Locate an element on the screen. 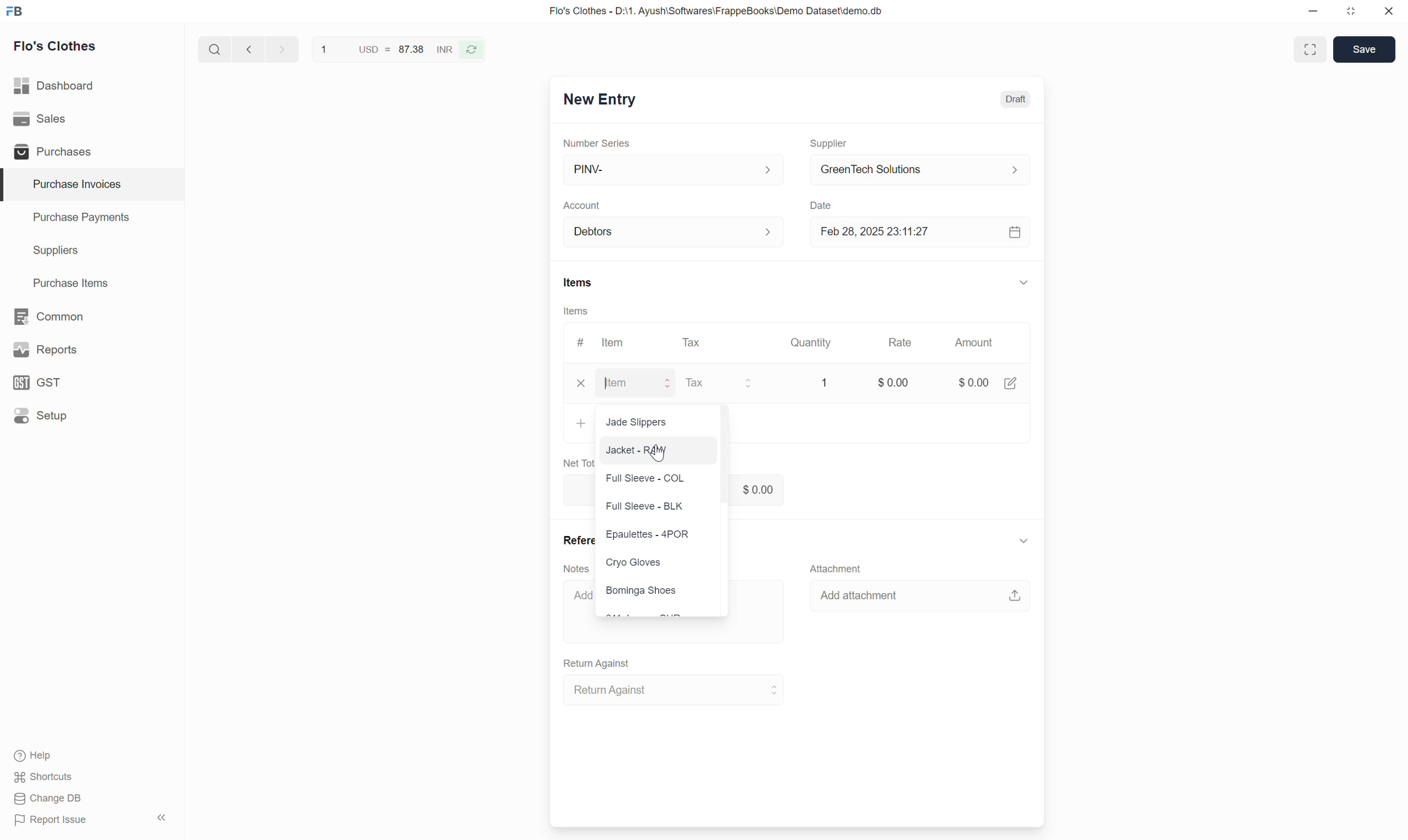  Report Issue is located at coordinates (51, 820).